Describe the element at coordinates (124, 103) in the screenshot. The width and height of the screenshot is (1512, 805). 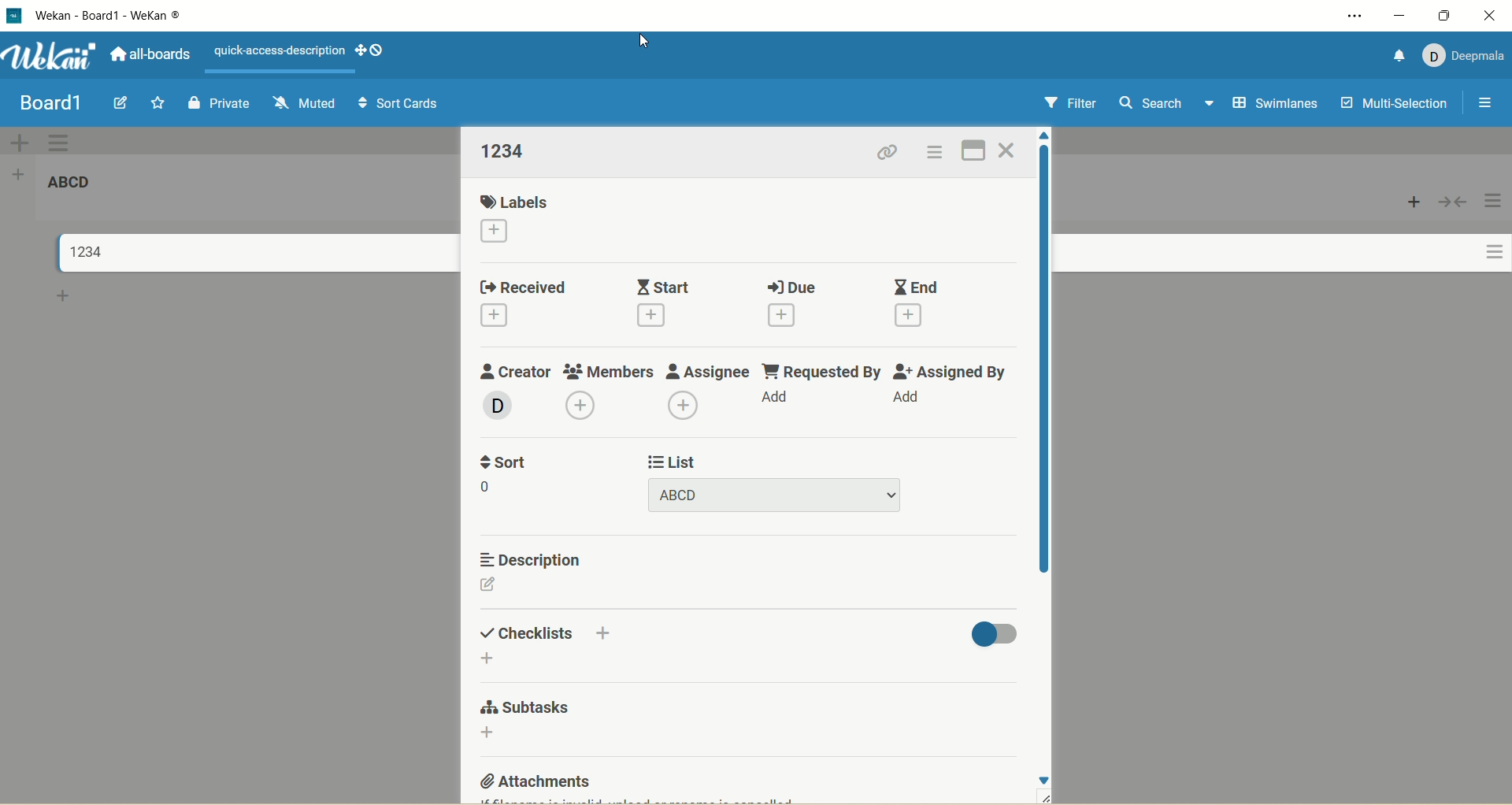
I see `edit` at that location.